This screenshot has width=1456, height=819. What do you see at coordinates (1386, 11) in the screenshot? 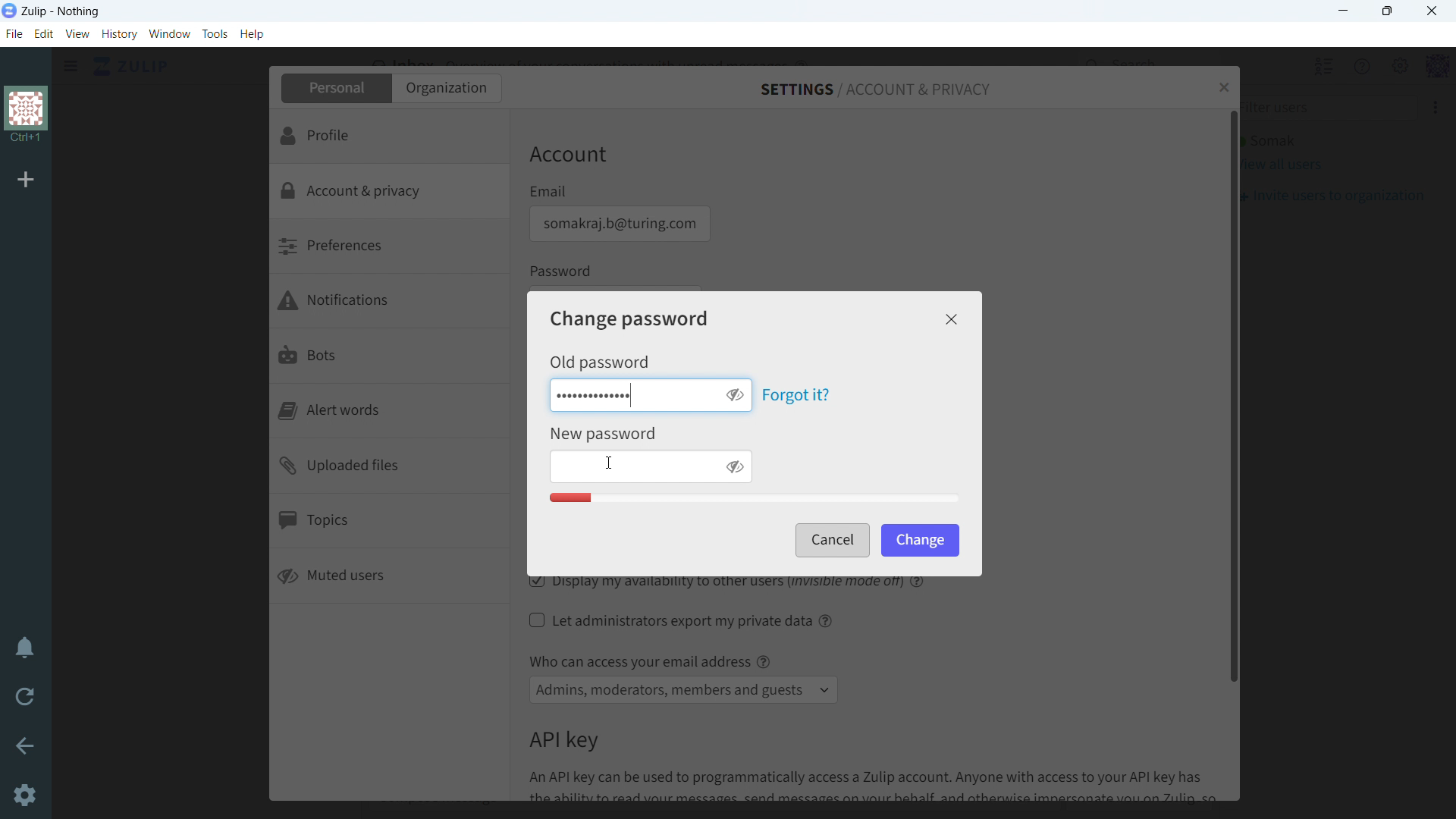
I see `maximize` at bounding box center [1386, 11].